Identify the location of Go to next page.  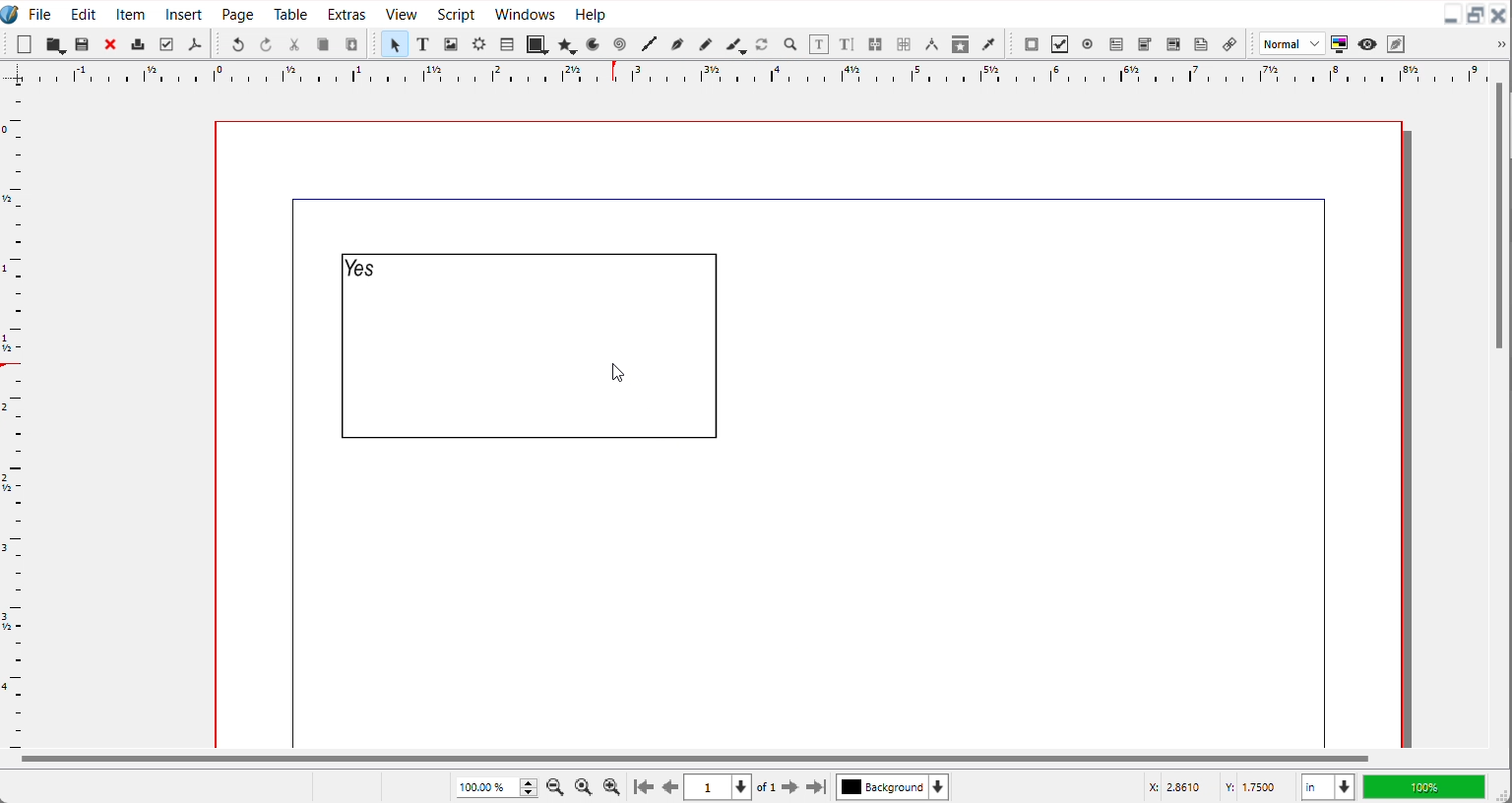
(779, 787).